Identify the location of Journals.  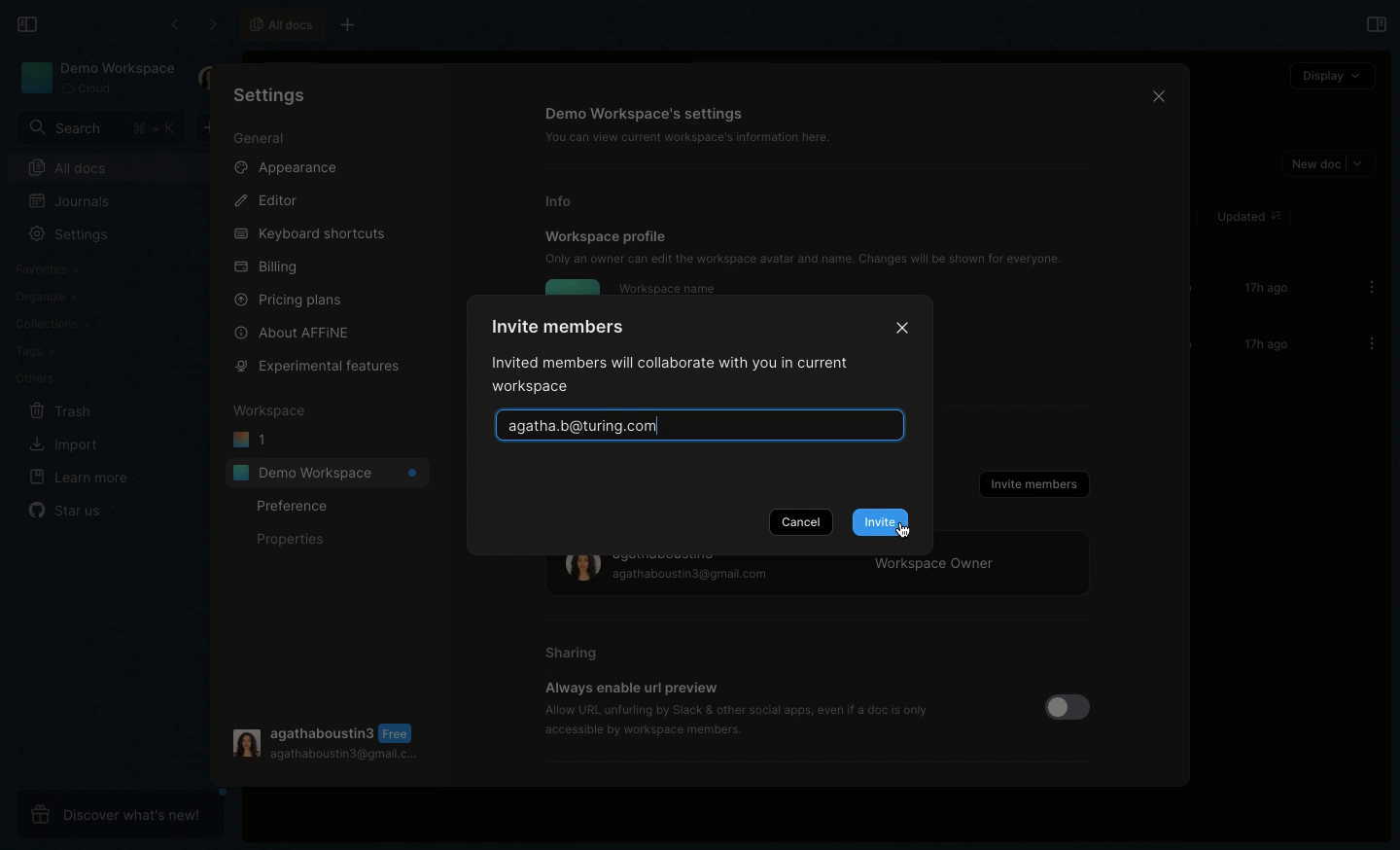
(69, 200).